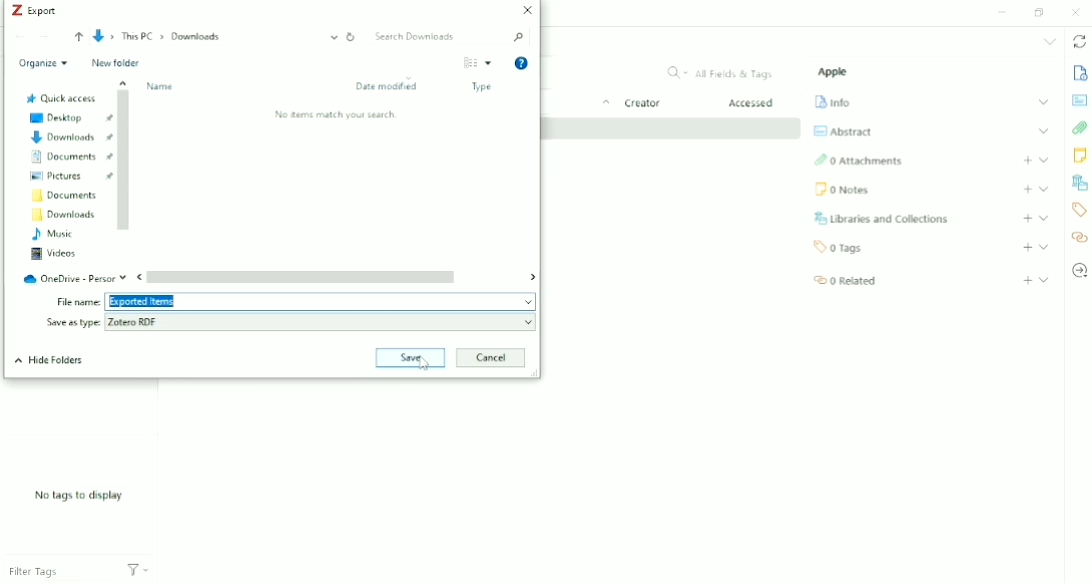 Image resolution: width=1092 pixels, height=584 pixels. What do you see at coordinates (1043, 159) in the screenshot?
I see `Expand section` at bounding box center [1043, 159].